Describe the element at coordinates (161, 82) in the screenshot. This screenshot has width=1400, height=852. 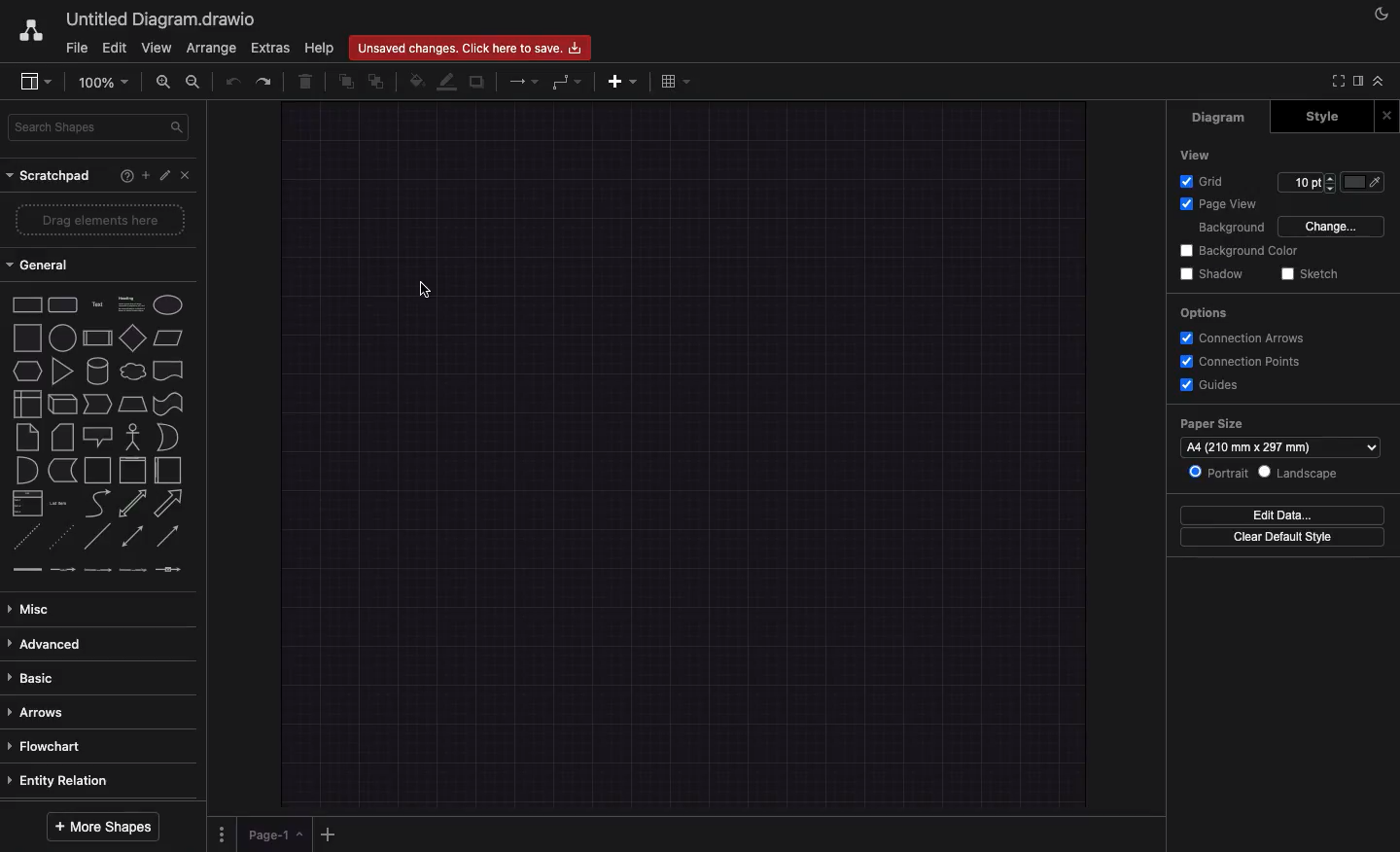
I see `Zoom in` at that location.